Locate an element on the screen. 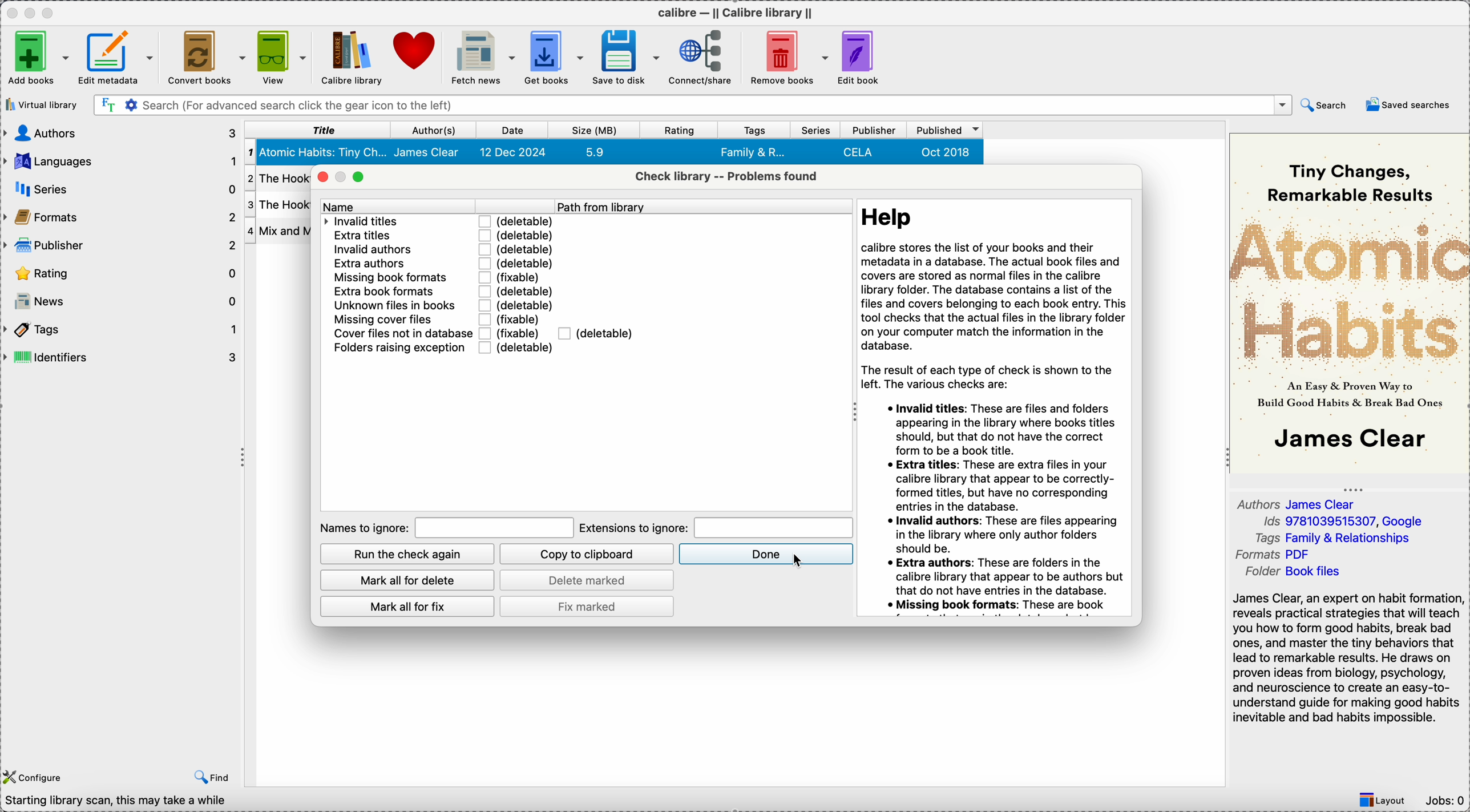 The height and width of the screenshot is (812, 1470). get books is located at coordinates (555, 56).